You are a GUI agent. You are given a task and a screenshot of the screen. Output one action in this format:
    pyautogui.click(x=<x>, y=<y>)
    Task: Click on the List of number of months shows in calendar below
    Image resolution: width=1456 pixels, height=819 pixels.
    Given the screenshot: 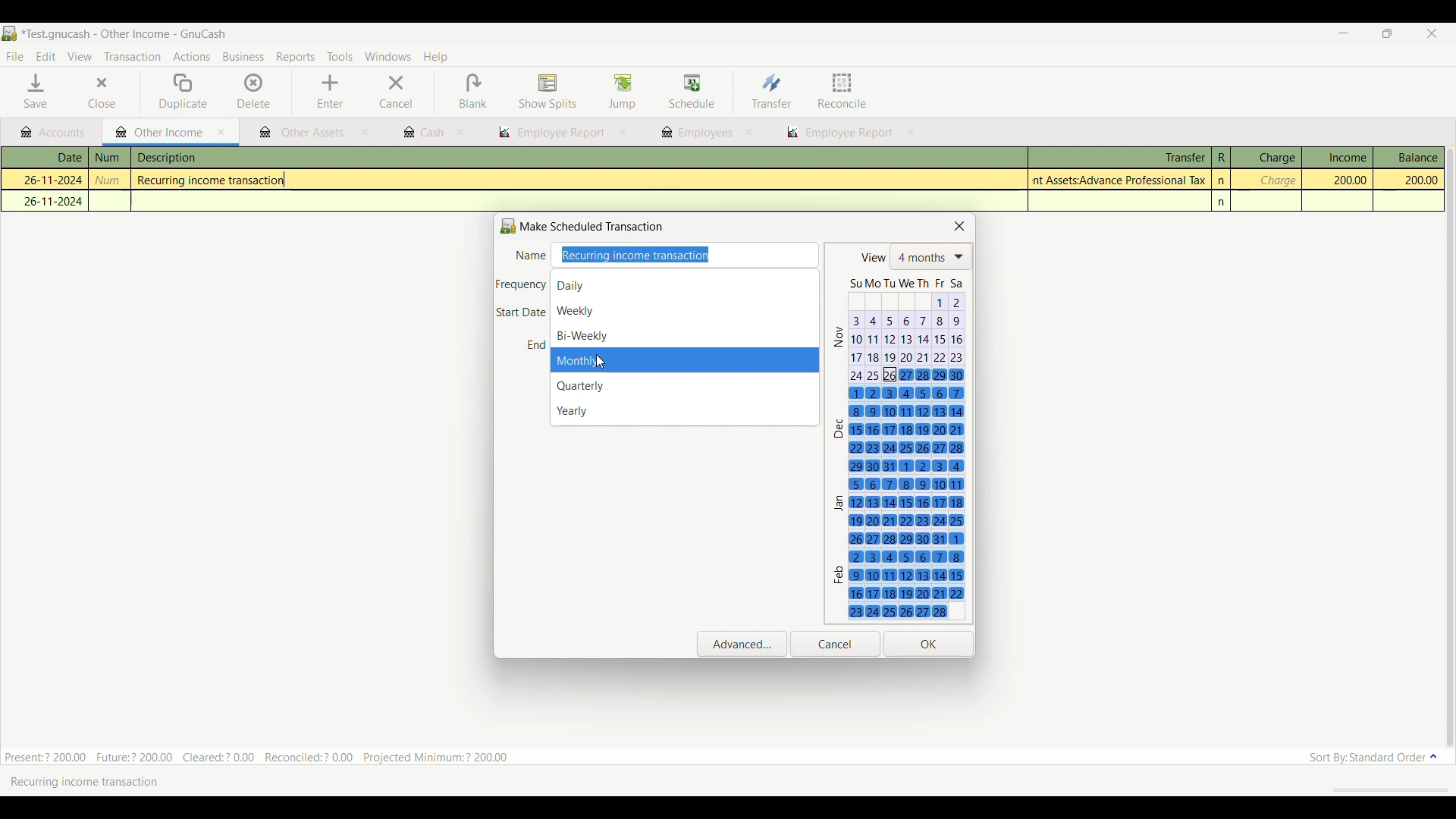 What is the action you would take?
    pyautogui.click(x=931, y=257)
    